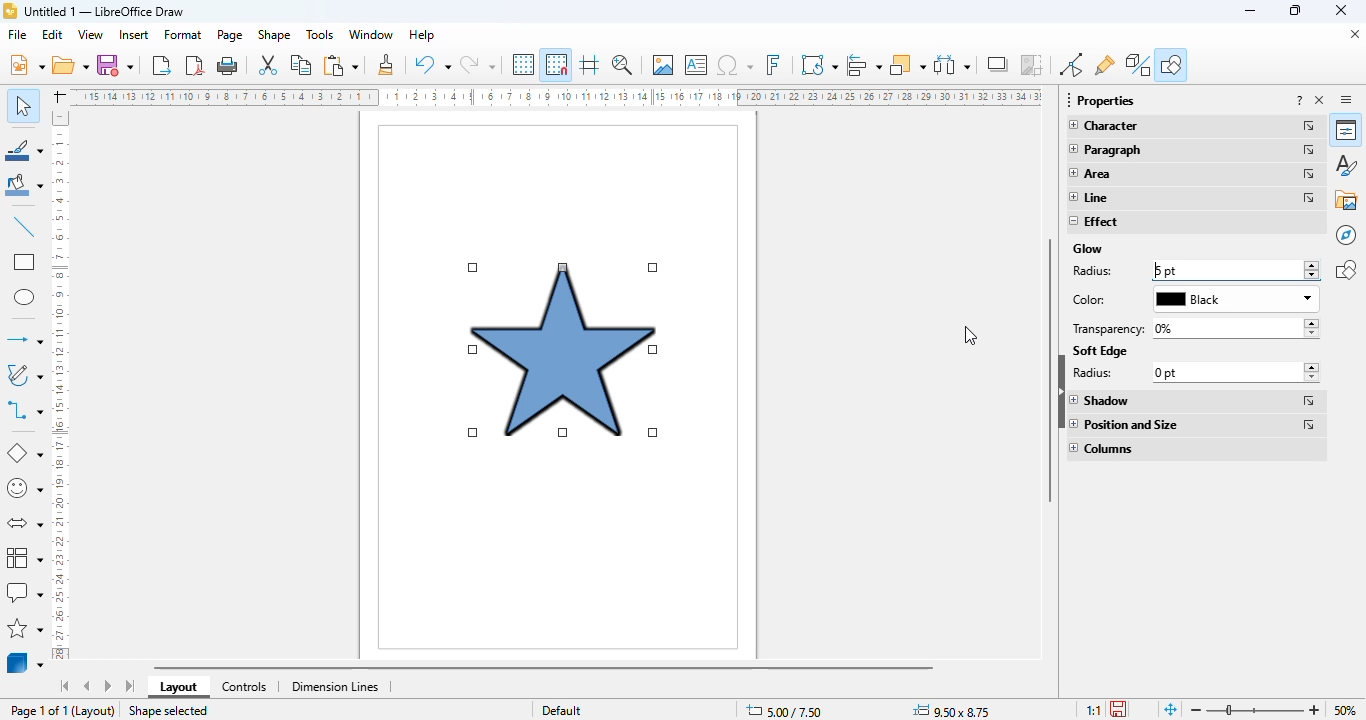  Describe the element at coordinates (1310, 424) in the screenshot. I see `more options` at that location.